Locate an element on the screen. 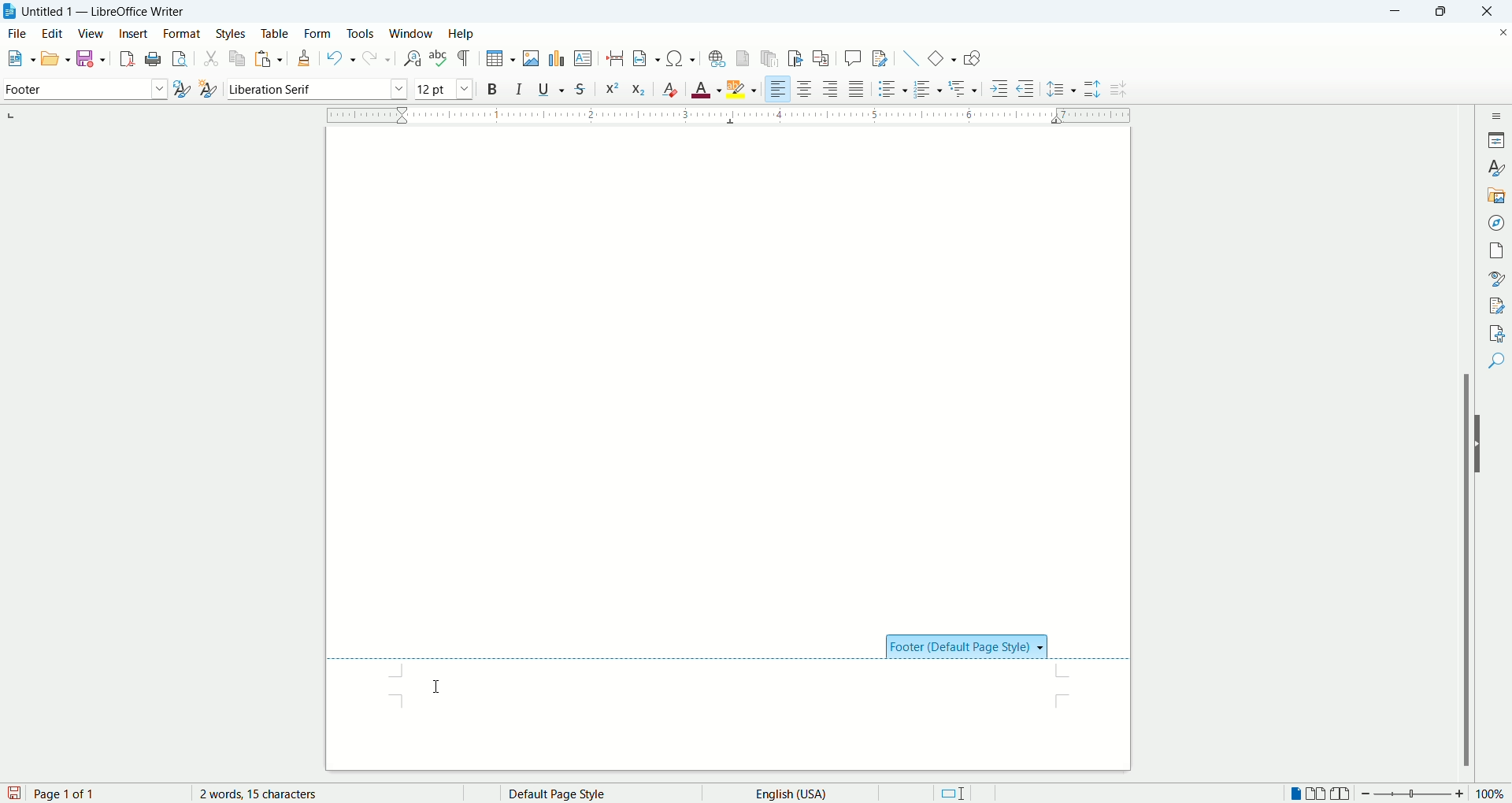 This screenshot has width=1512, height=803. font size is located at coordinates (443, 88).